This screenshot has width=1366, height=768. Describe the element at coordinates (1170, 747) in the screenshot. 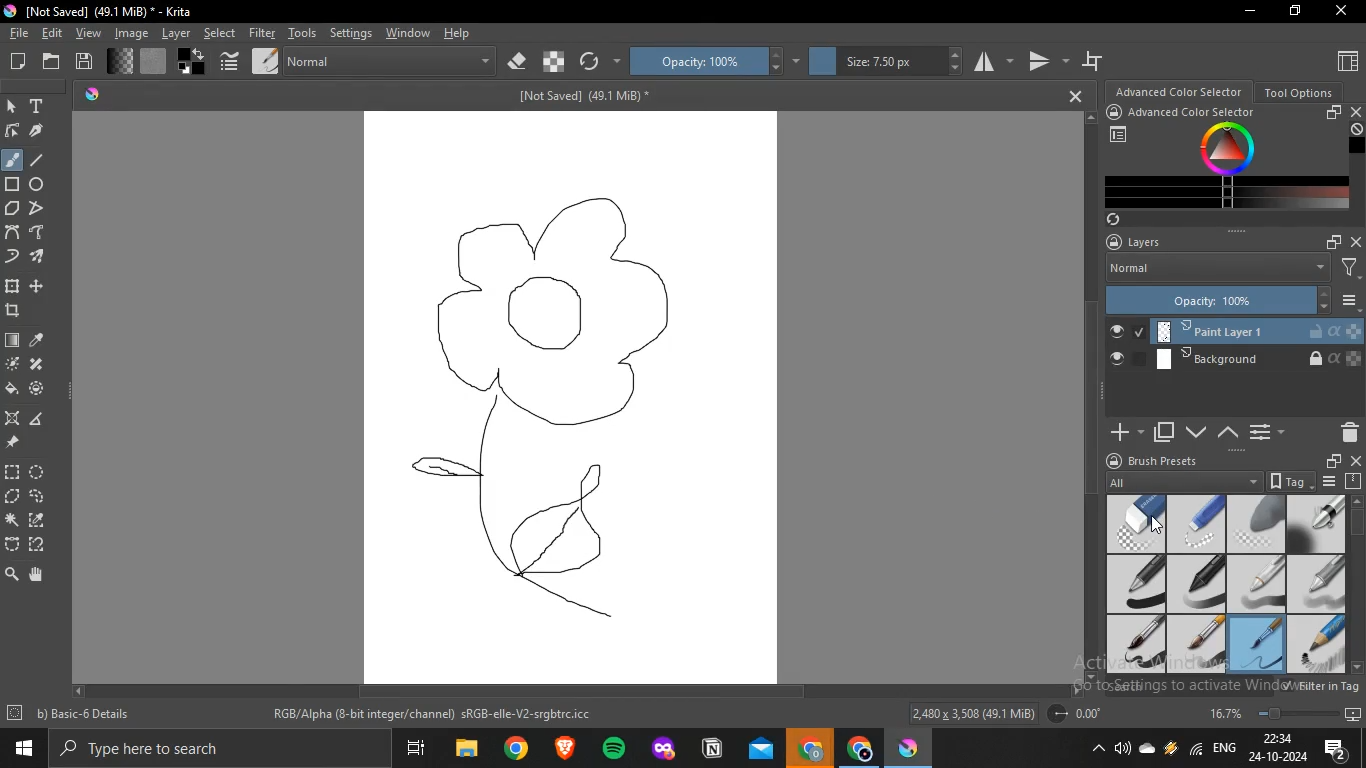

I see `Charge` at that location.